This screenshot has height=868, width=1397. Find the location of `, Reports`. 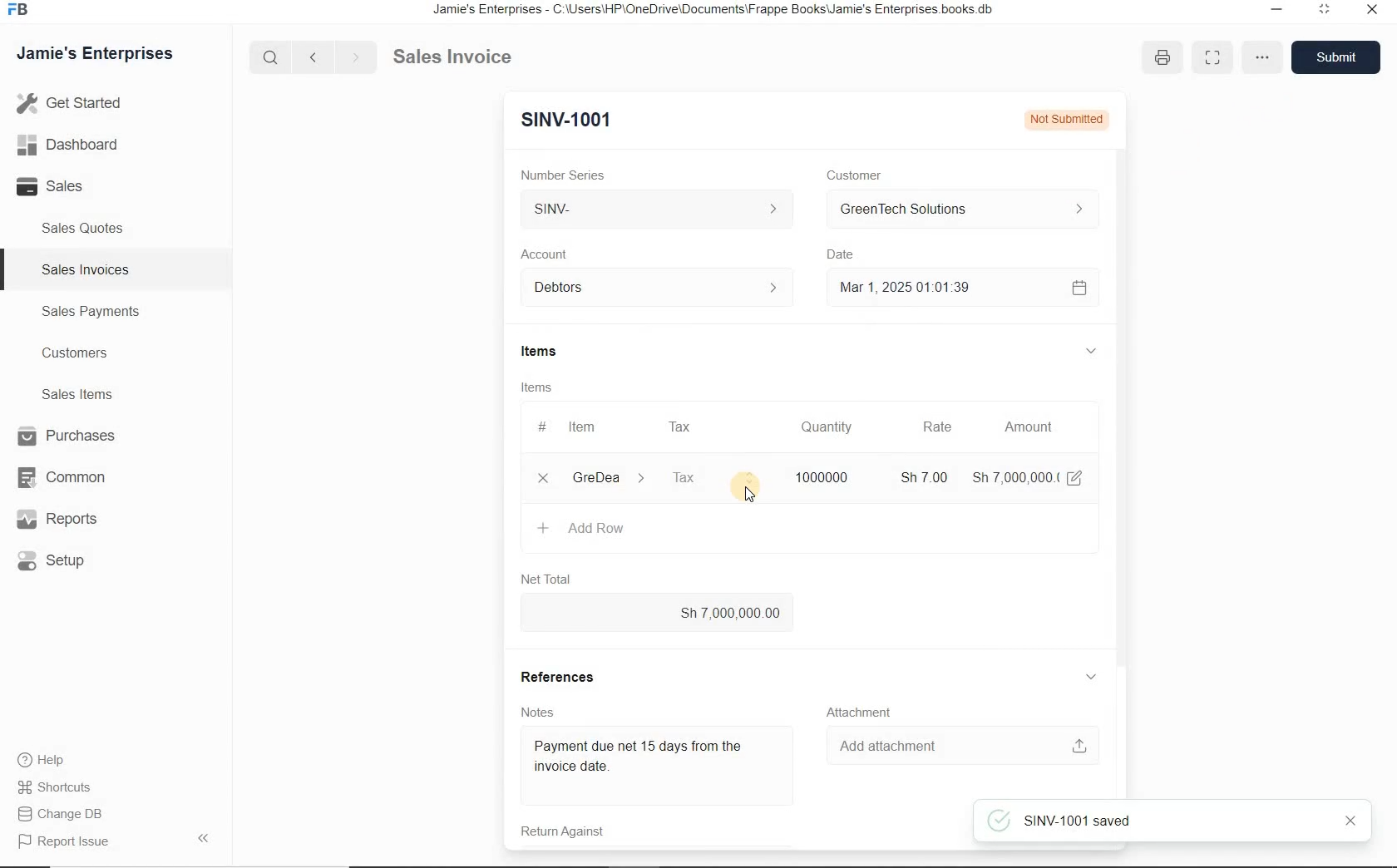

, Reports is located at coordinates (60, 520).